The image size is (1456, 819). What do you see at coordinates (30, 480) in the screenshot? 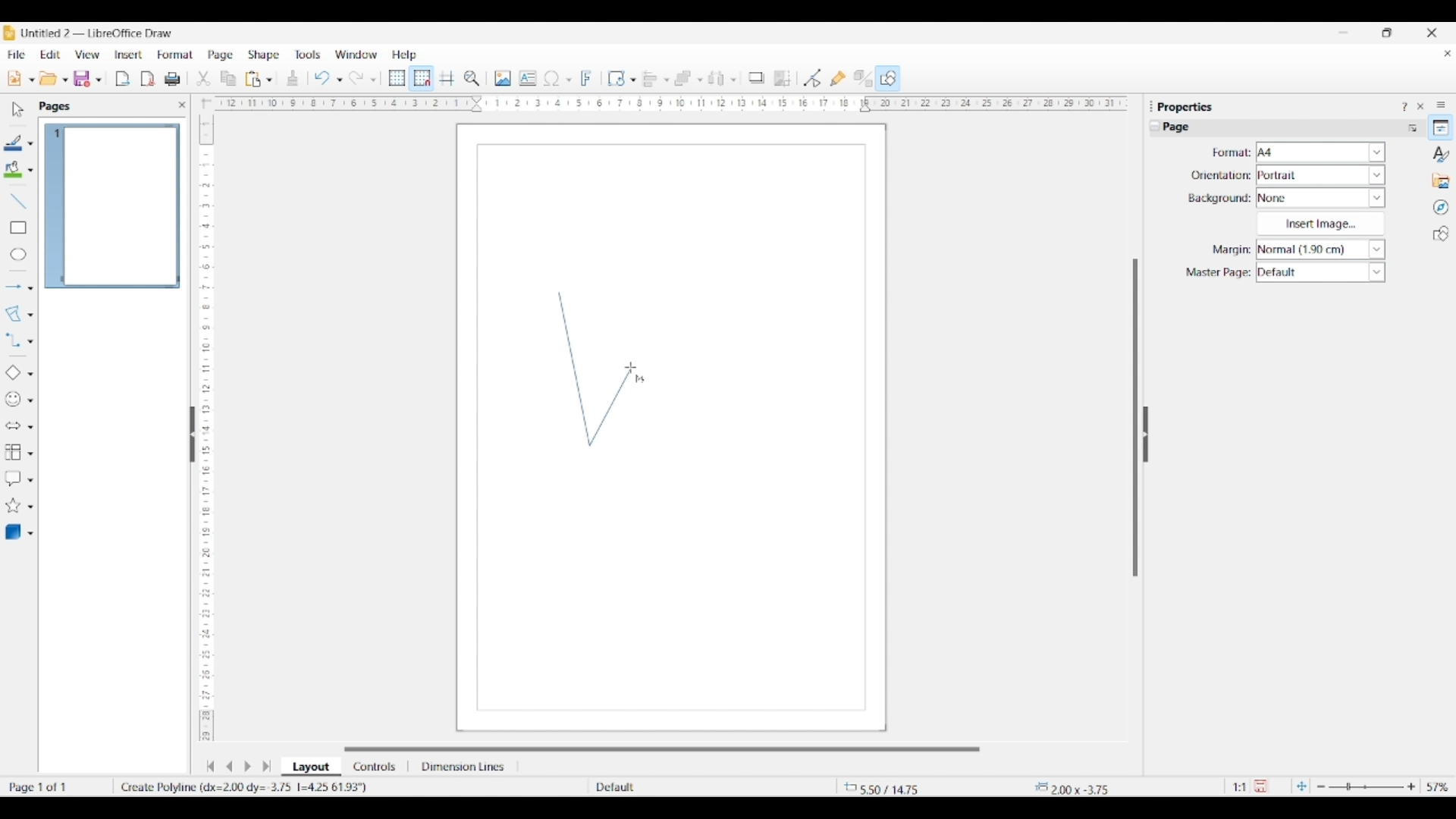
I see `Callout shape options` at bounding box center [30, 480].